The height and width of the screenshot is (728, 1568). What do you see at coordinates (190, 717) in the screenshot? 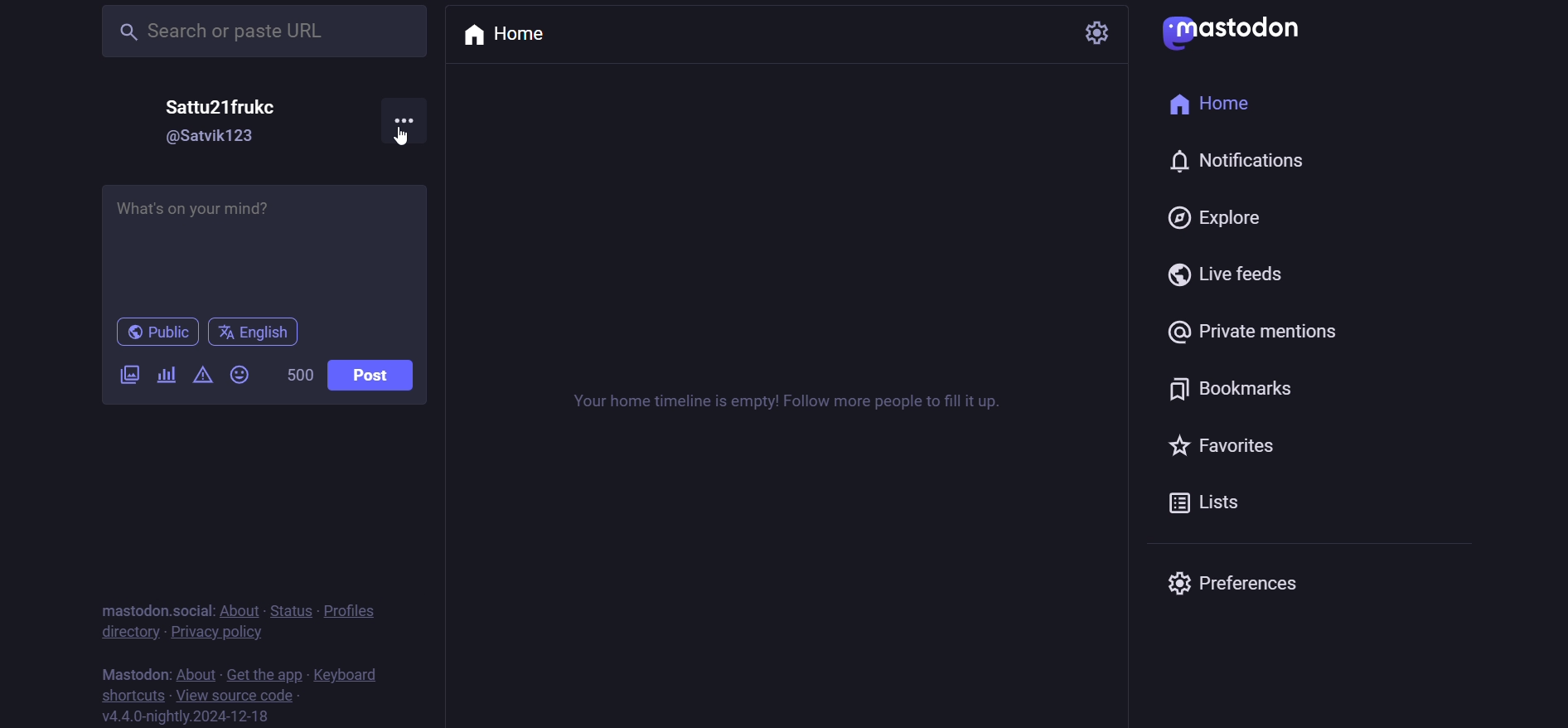
I see `version` at bounding box center [190, 717].